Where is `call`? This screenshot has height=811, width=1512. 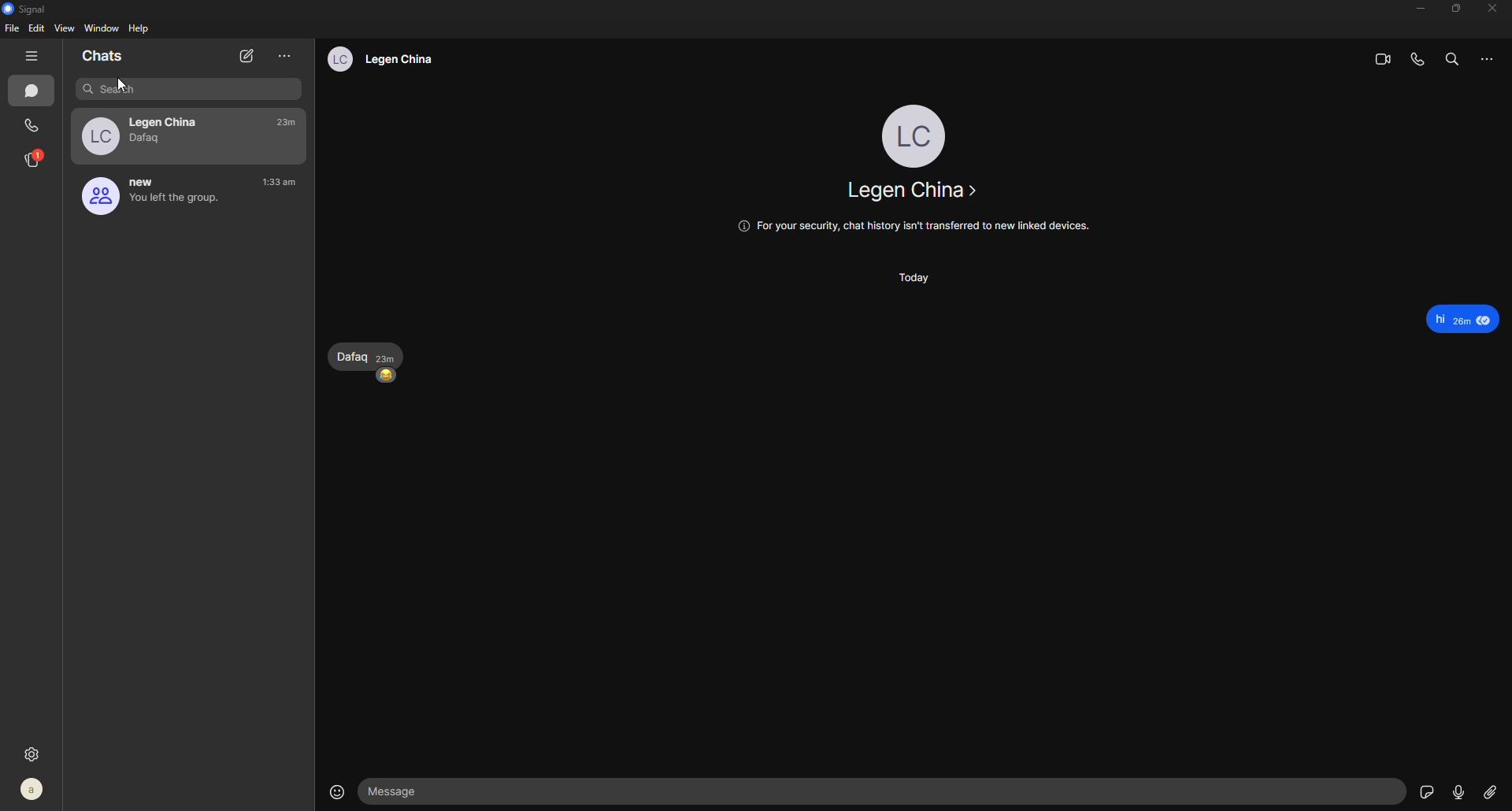 call is located at coordinates (35, 128).